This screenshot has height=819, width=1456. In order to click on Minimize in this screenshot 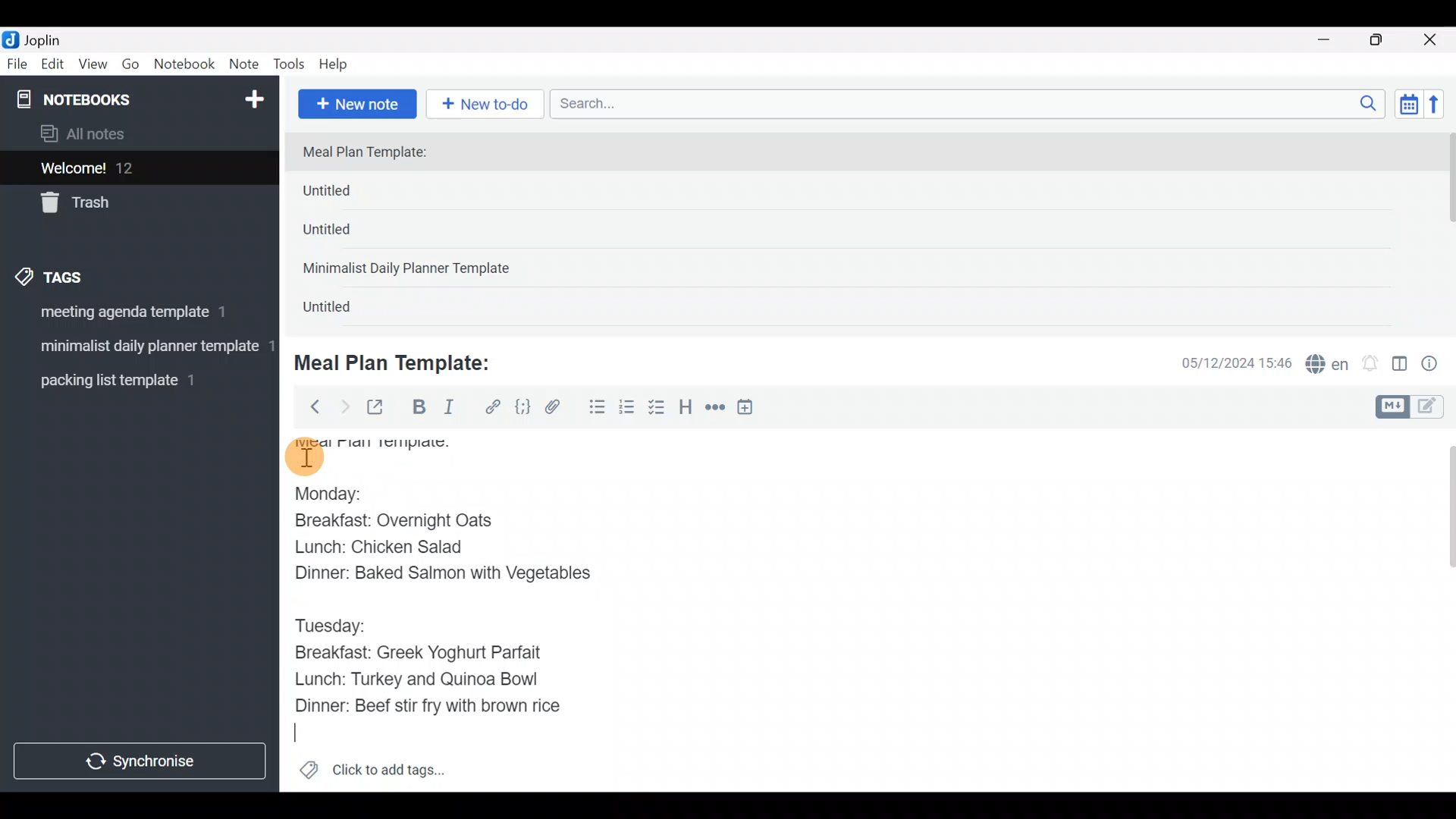, I will do `click(1332, 38)`.